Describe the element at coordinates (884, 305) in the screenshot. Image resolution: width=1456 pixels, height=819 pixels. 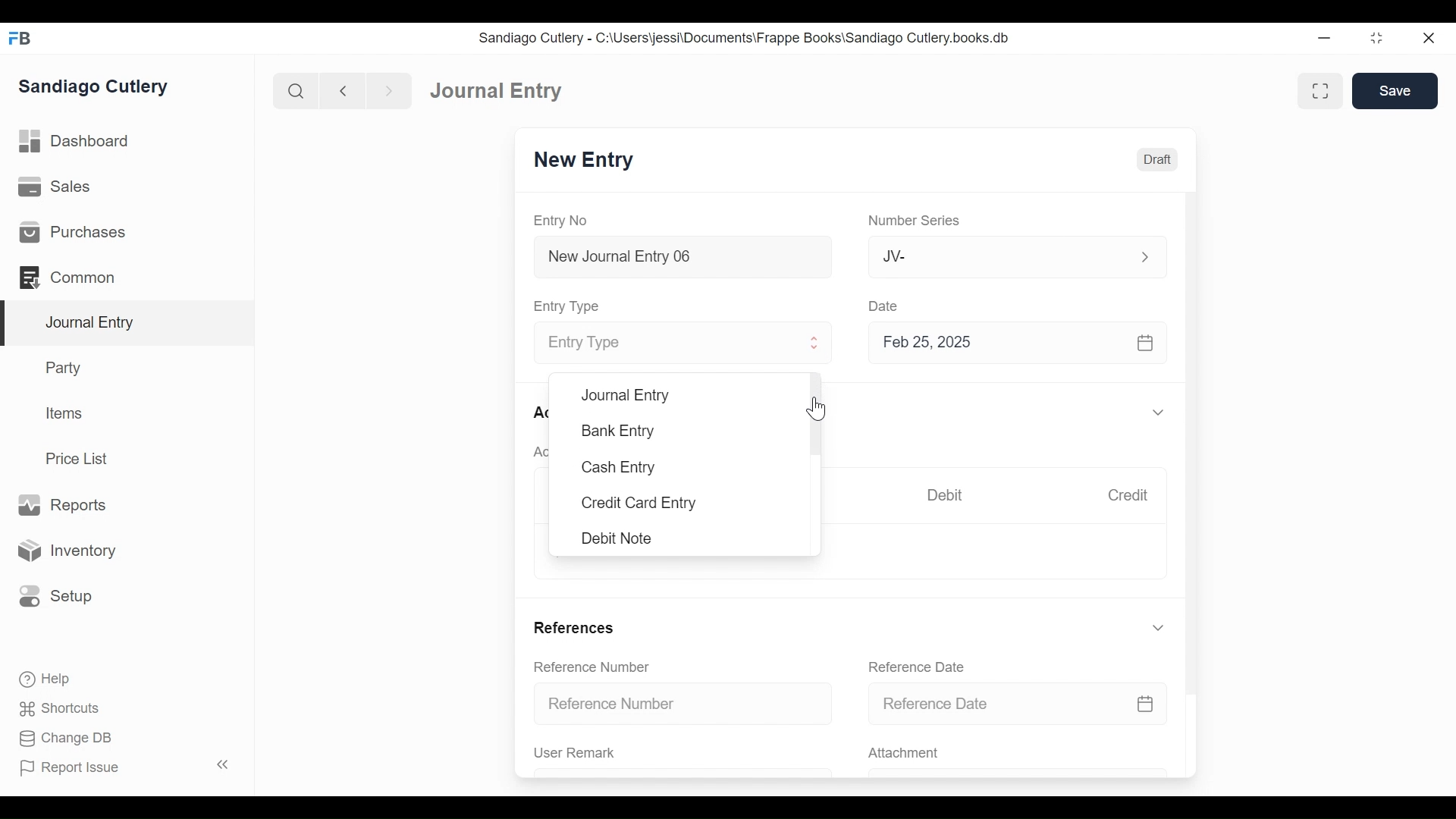
I see `Date` at that location.